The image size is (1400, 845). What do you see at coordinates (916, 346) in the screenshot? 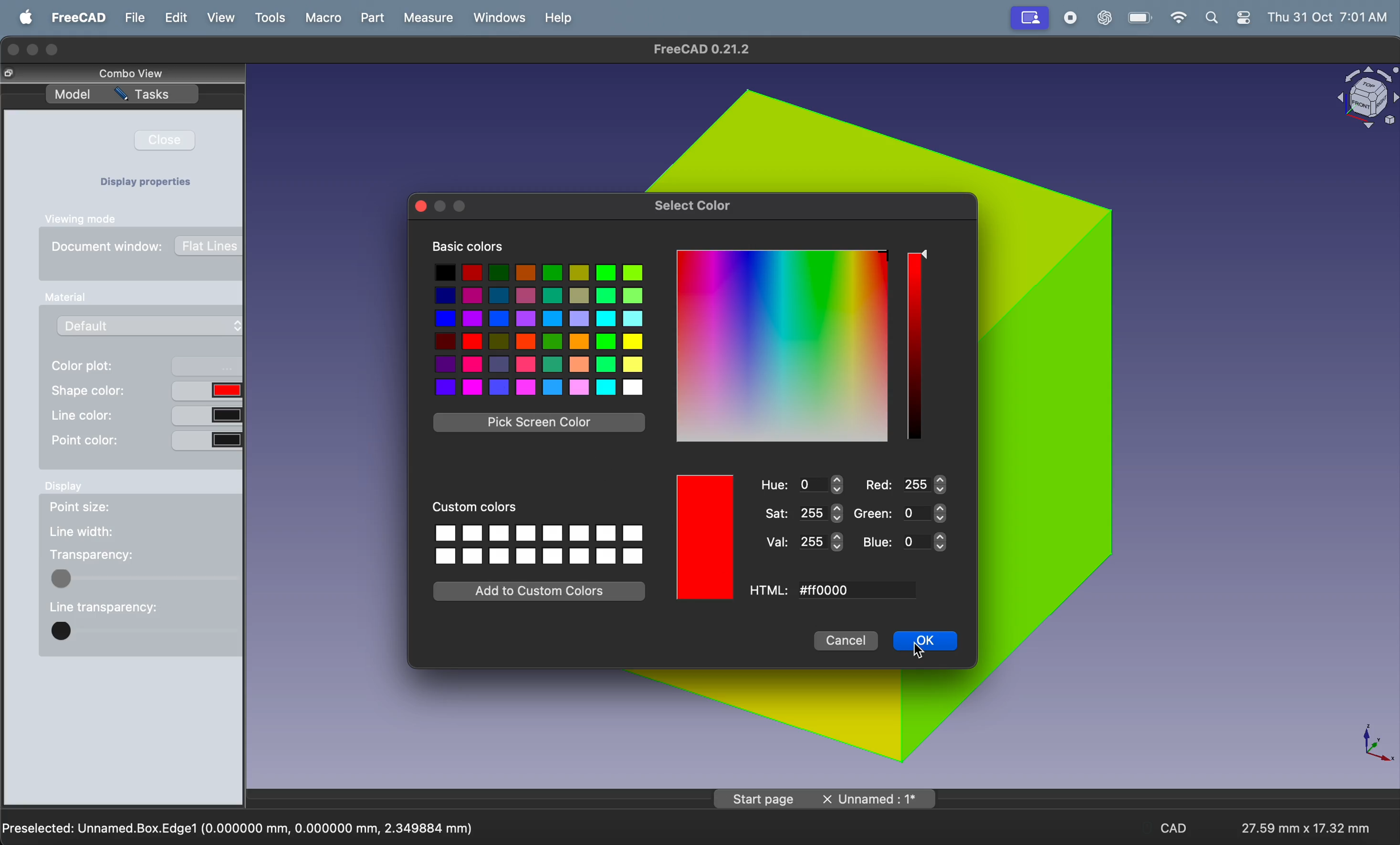
I see `color scale` at bounding box center [916, 346].